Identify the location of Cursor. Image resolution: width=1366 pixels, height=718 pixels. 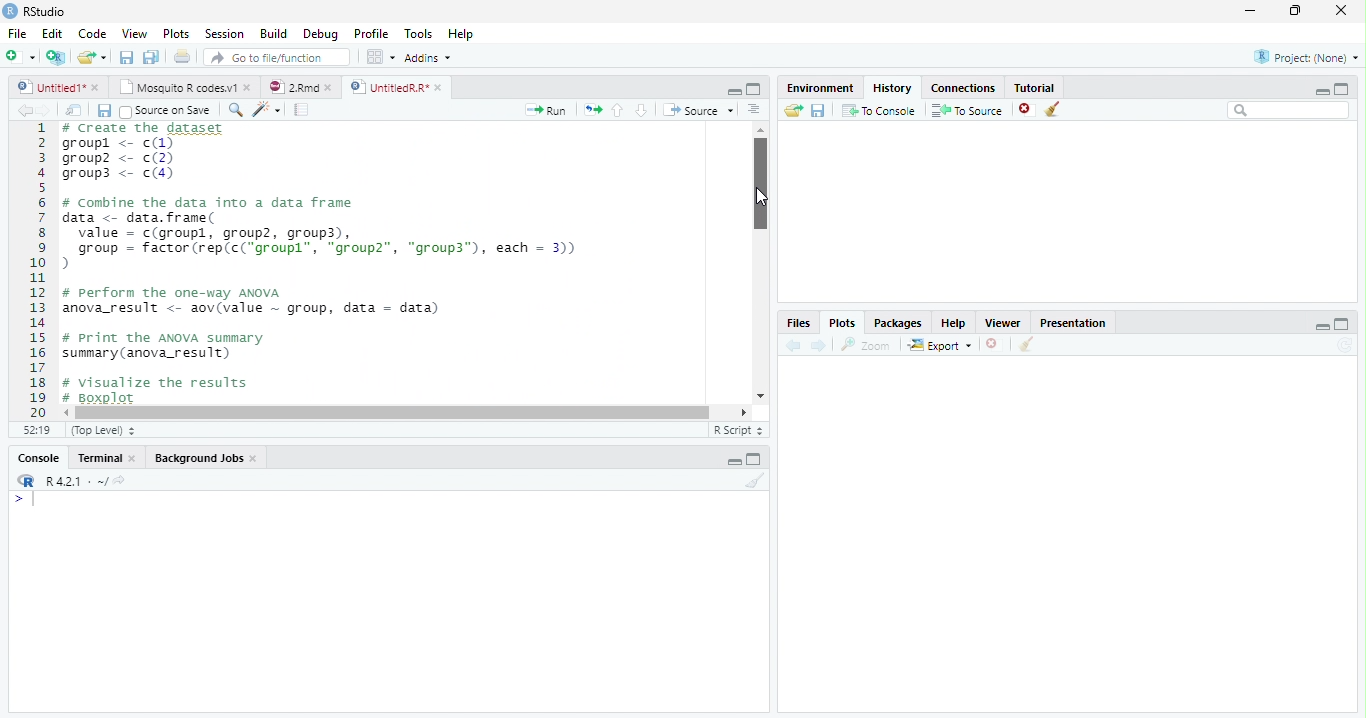
(762, 198).